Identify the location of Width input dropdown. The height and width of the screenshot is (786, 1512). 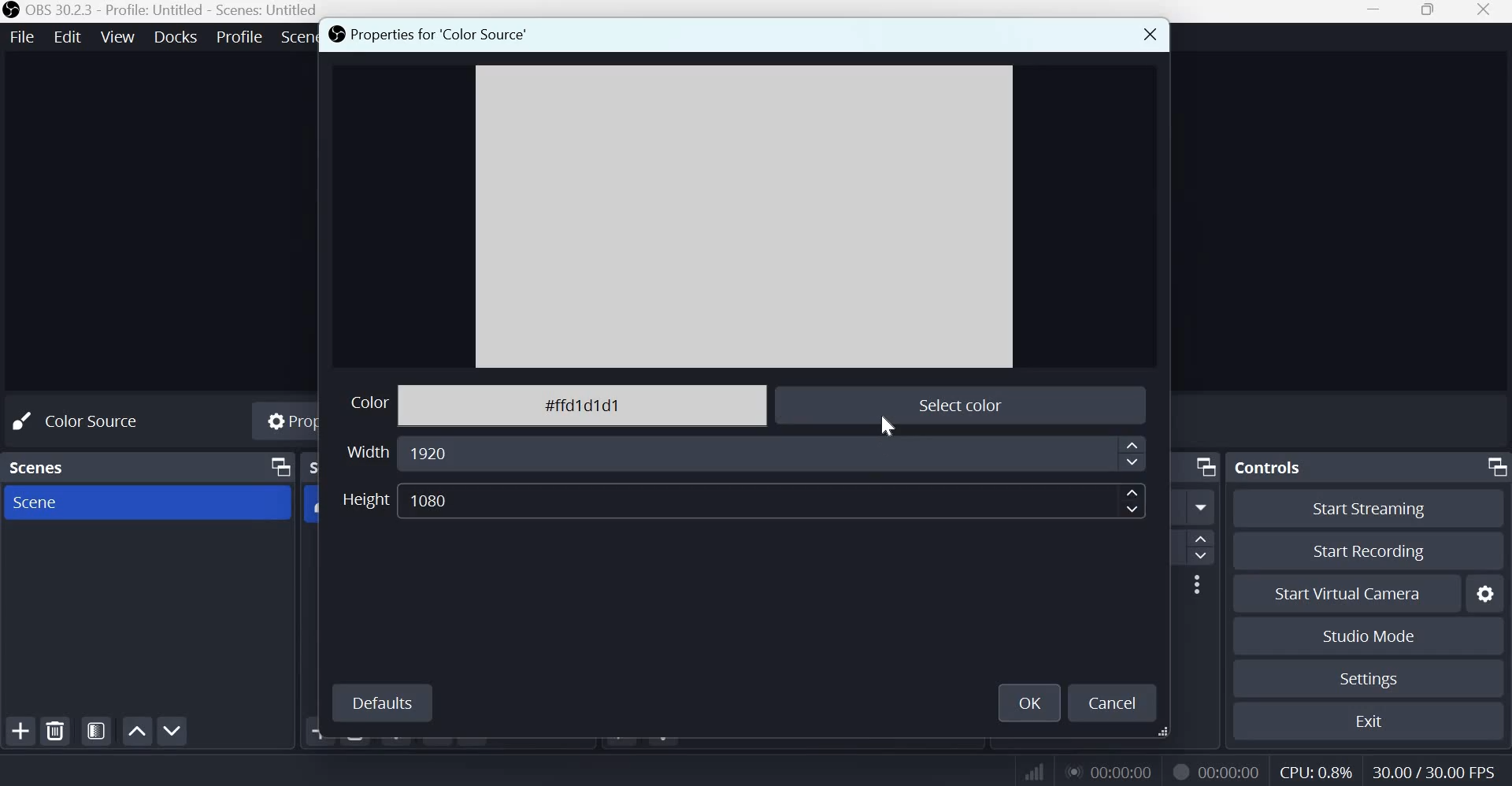
(774, 455).